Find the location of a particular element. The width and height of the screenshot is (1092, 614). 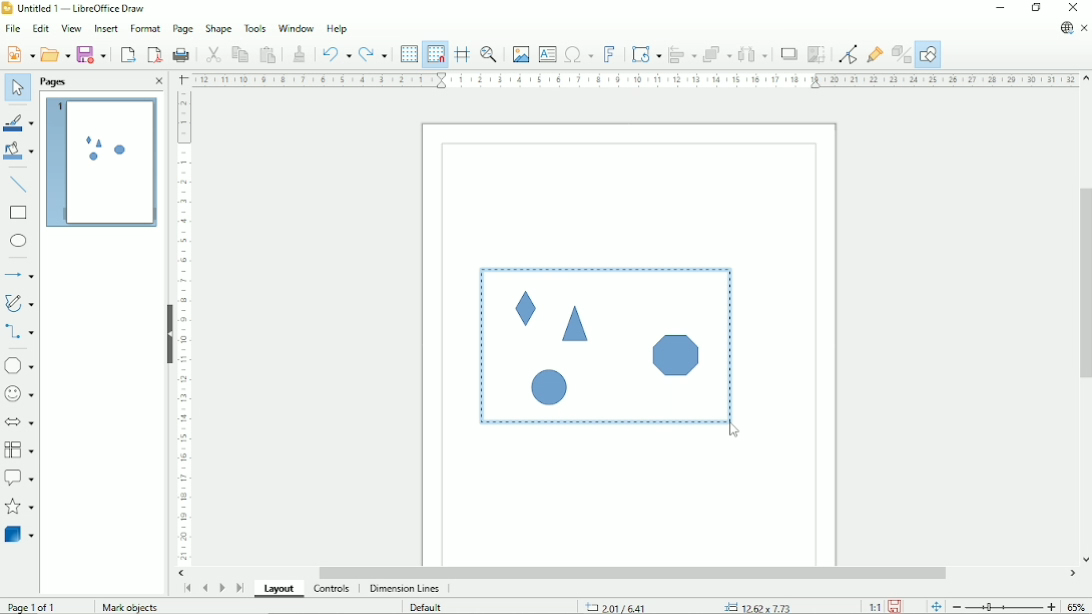

Window is located at coordinates (296, 27).